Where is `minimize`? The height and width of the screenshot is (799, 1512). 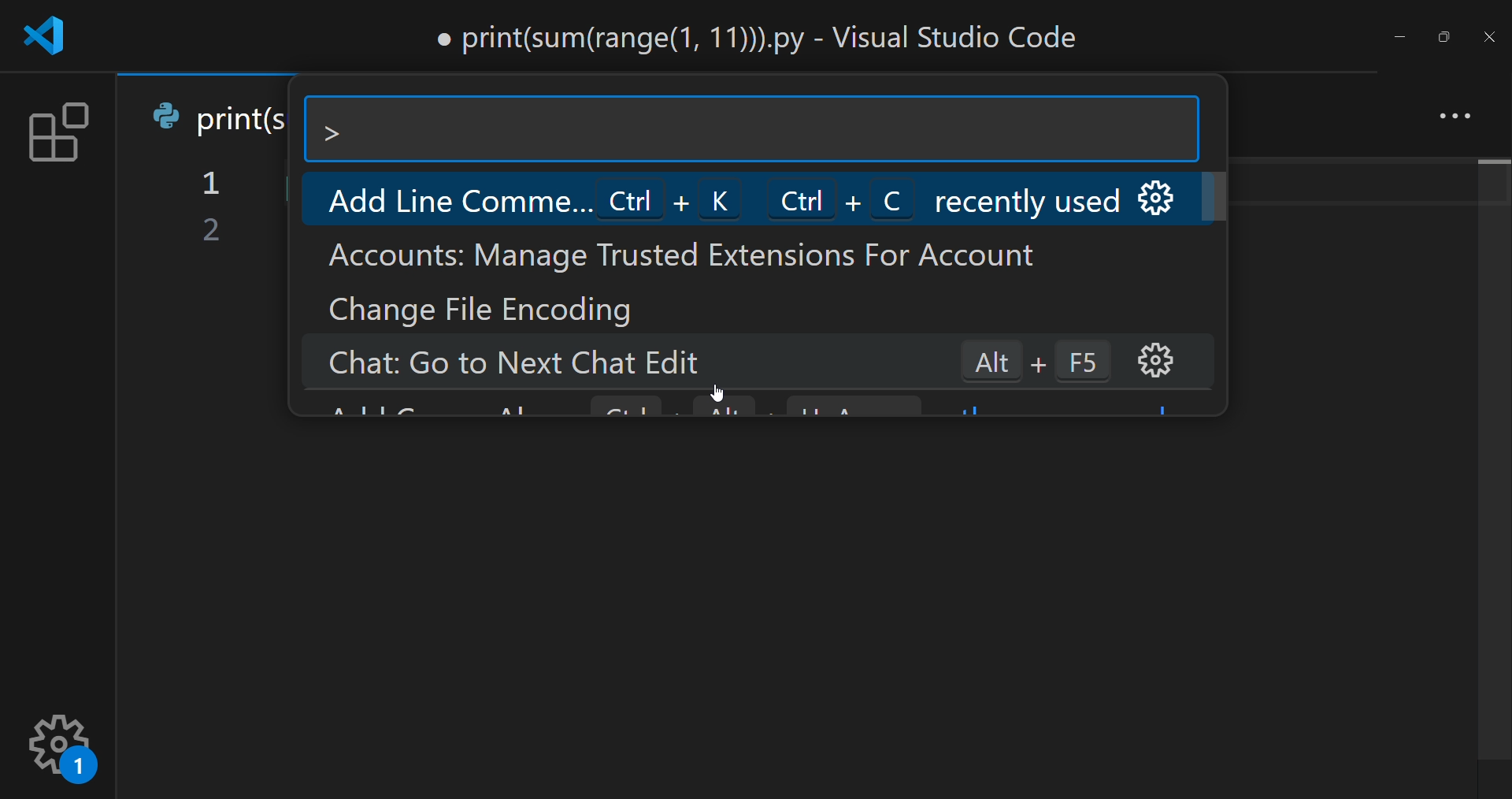 minimize is located at coordinates (1399, 35).